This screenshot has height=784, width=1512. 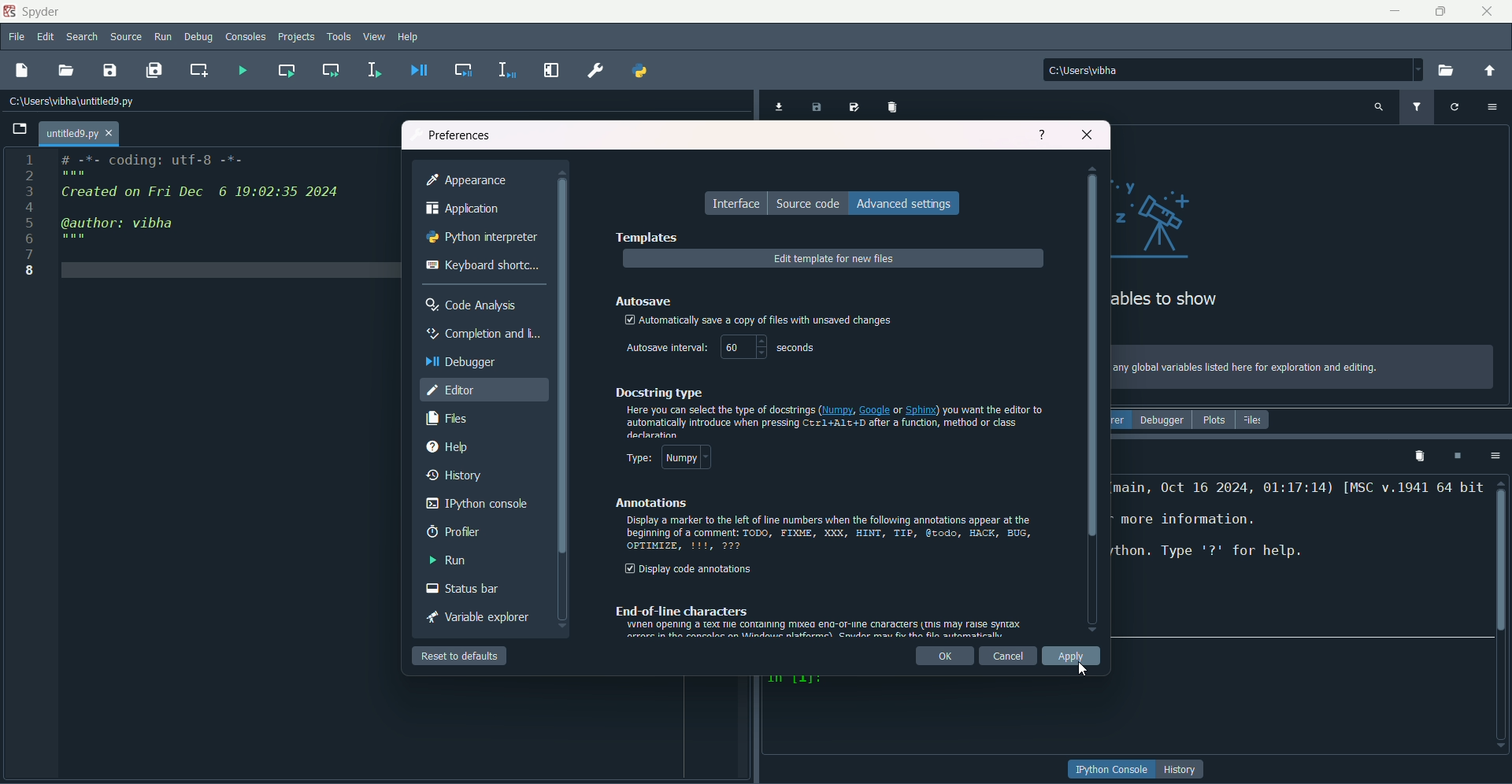 I want to click on new file, so click(x=21, y=70).